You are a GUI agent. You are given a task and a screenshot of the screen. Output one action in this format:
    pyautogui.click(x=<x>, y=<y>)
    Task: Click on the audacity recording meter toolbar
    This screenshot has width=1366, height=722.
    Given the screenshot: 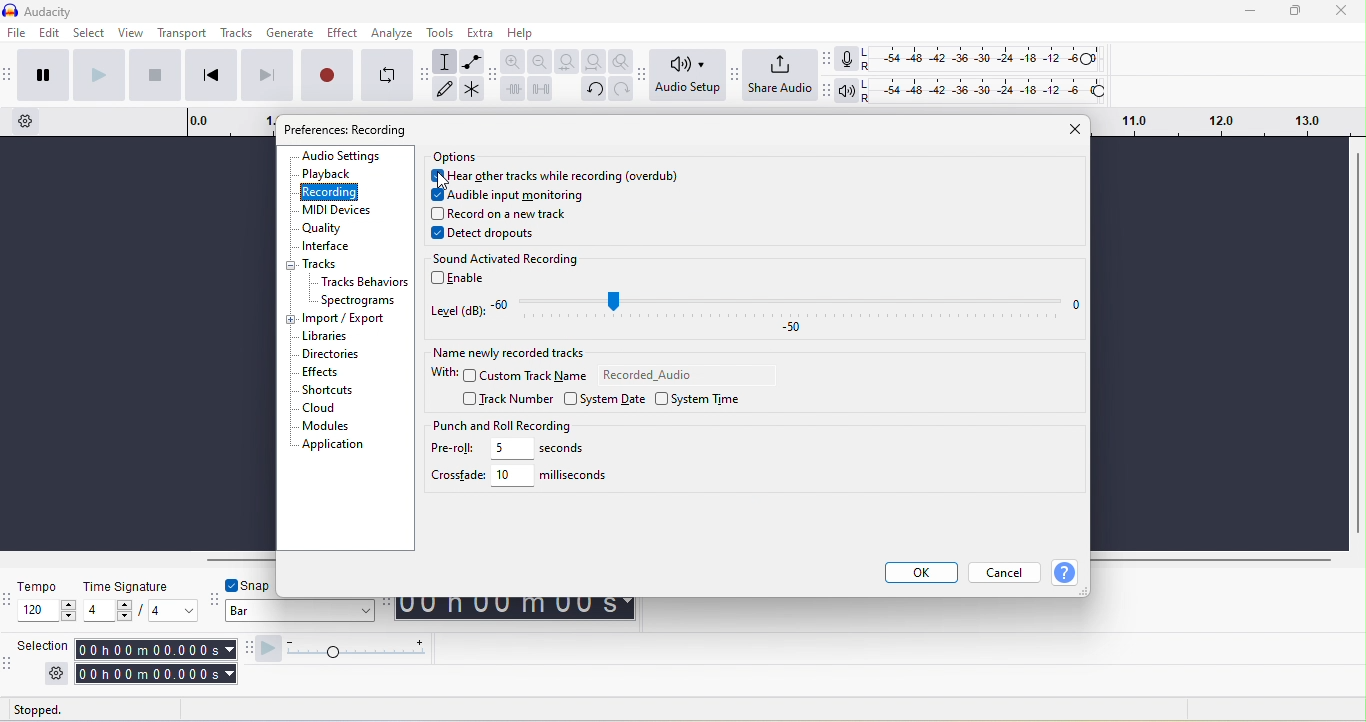 What is the action you would take?
    pyautogui.click(x=829, y=63)
    